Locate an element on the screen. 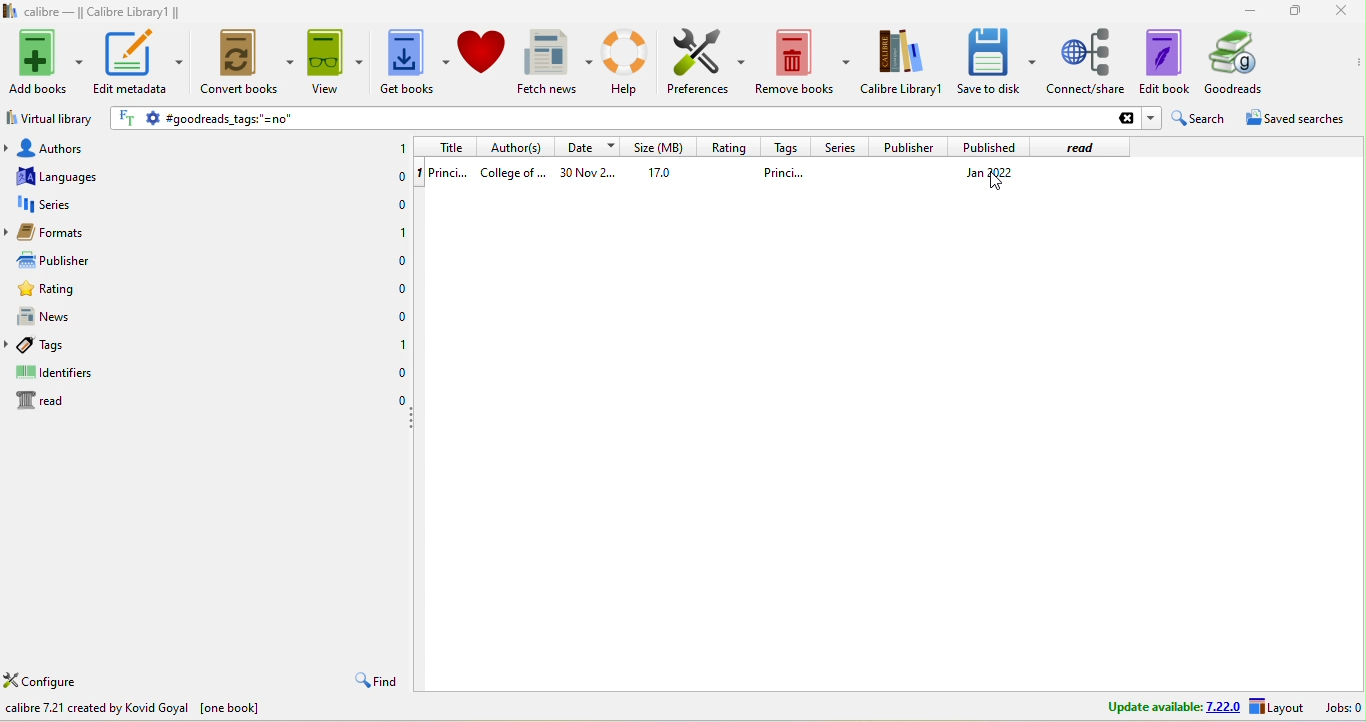 The width and height of the screenshot is (1366, 722). jan 2022 is located at coordinates (990, 173).